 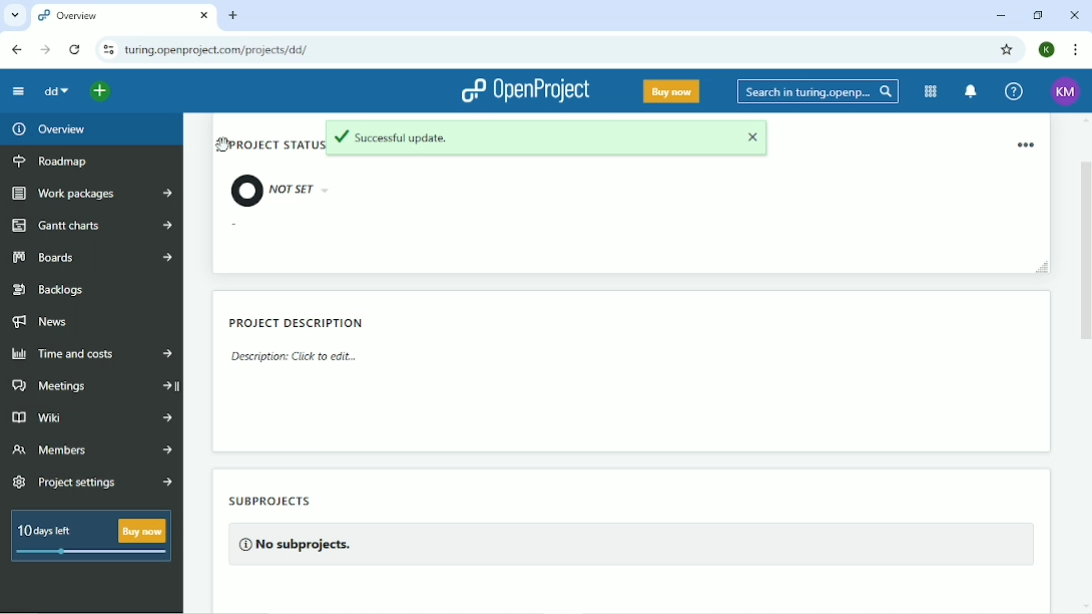 What do you see at coordinates (45, 50) in the screenshot?
I see `Forward` at bounding box center [45, 50].